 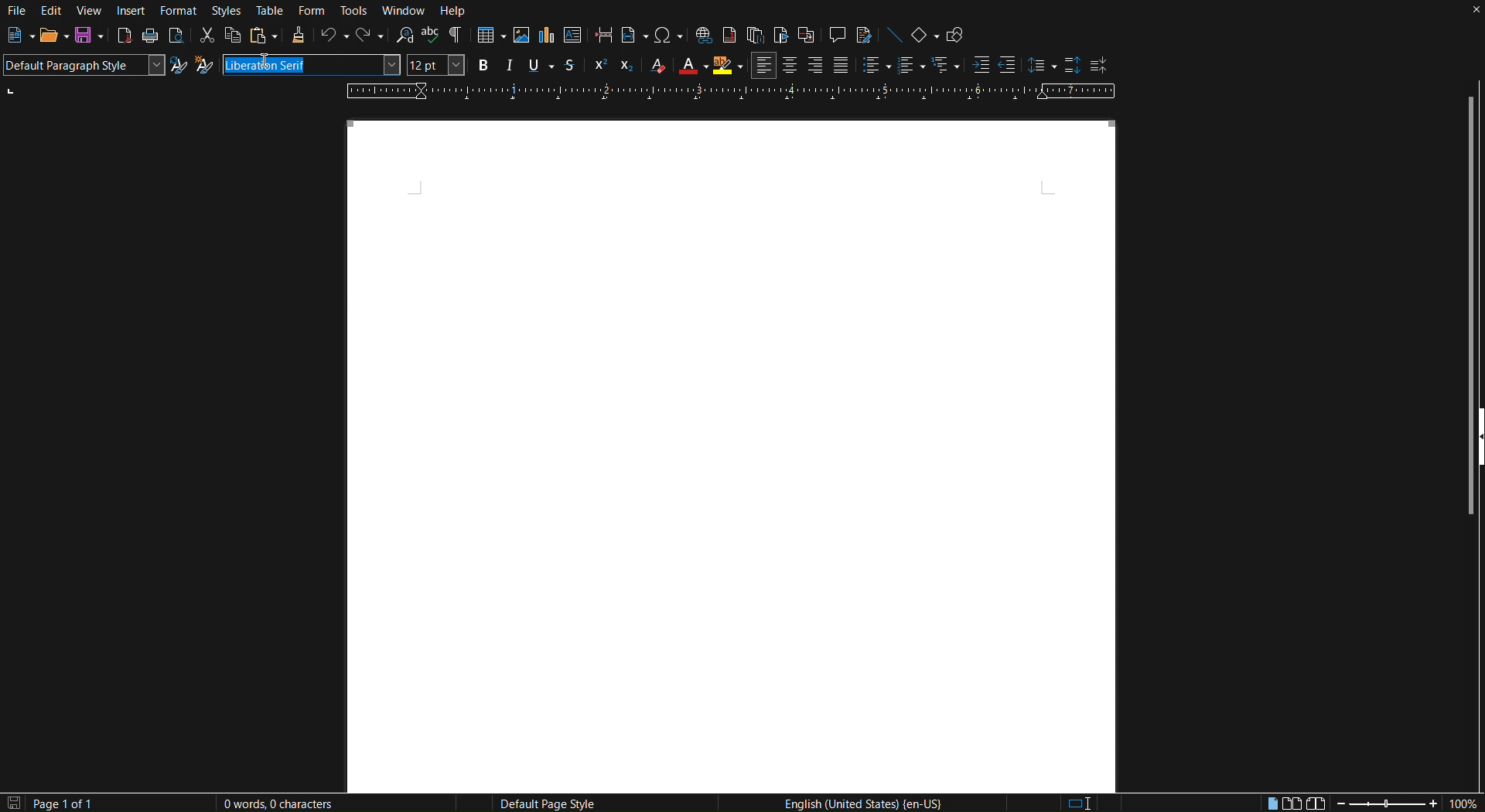 What do you see at coordinates (1074, 67) in the screenshot?
I see `Increase Paragraph Spacing` at bounding box center [1074, 67].